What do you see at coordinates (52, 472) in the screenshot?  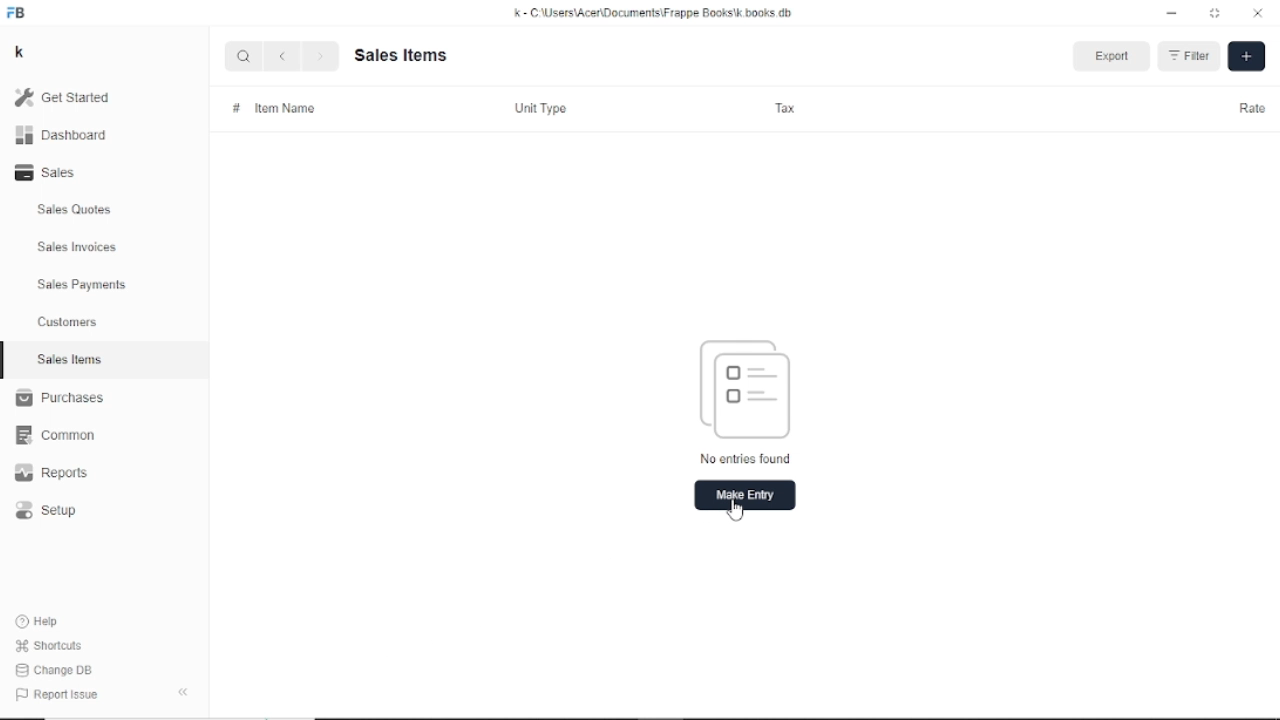 I see `Reports` at bounding box center [52, 472].